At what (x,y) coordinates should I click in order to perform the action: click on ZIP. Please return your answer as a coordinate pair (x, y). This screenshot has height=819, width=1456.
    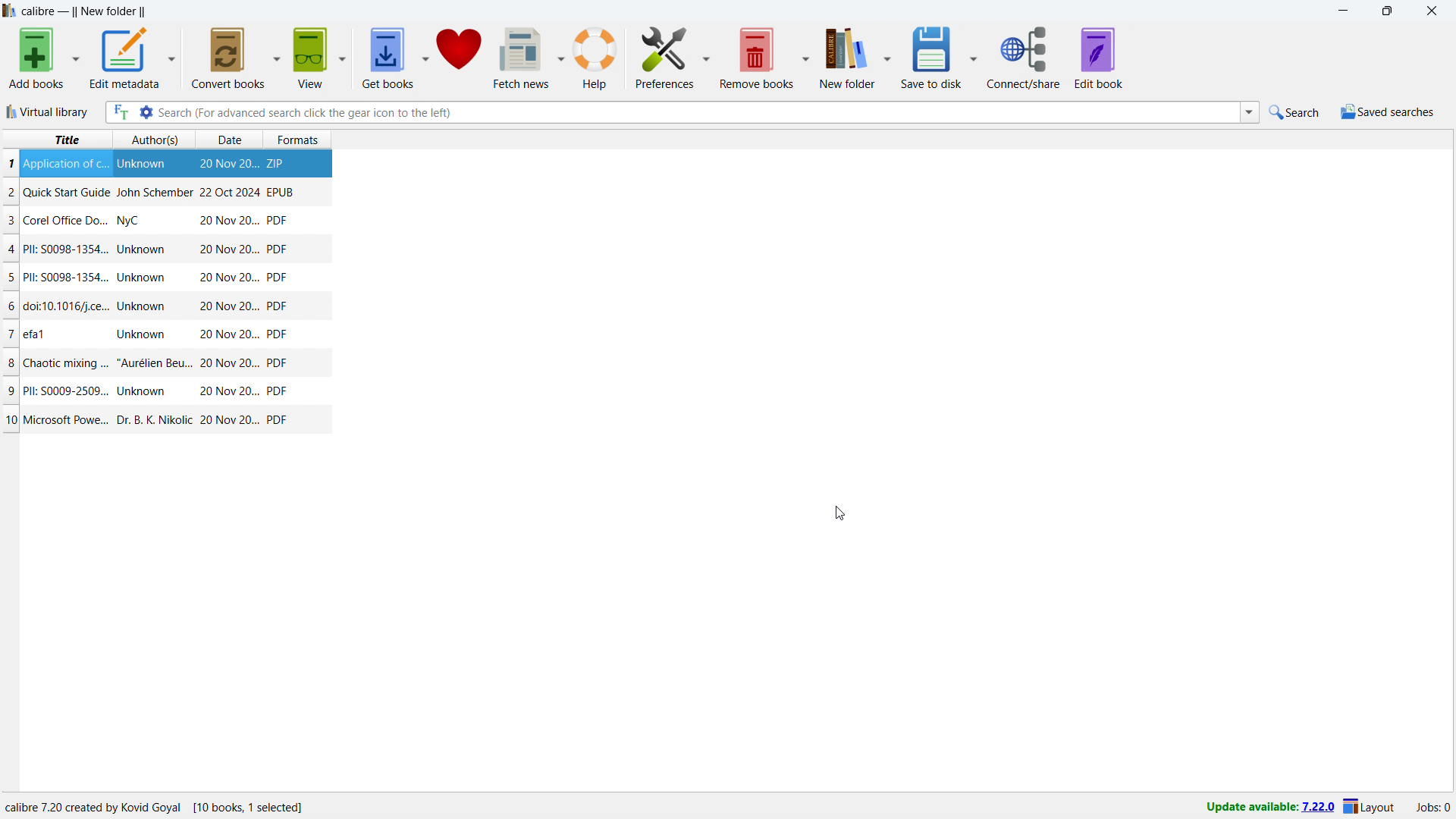
    Looking at the image, I should click on (276, 161).